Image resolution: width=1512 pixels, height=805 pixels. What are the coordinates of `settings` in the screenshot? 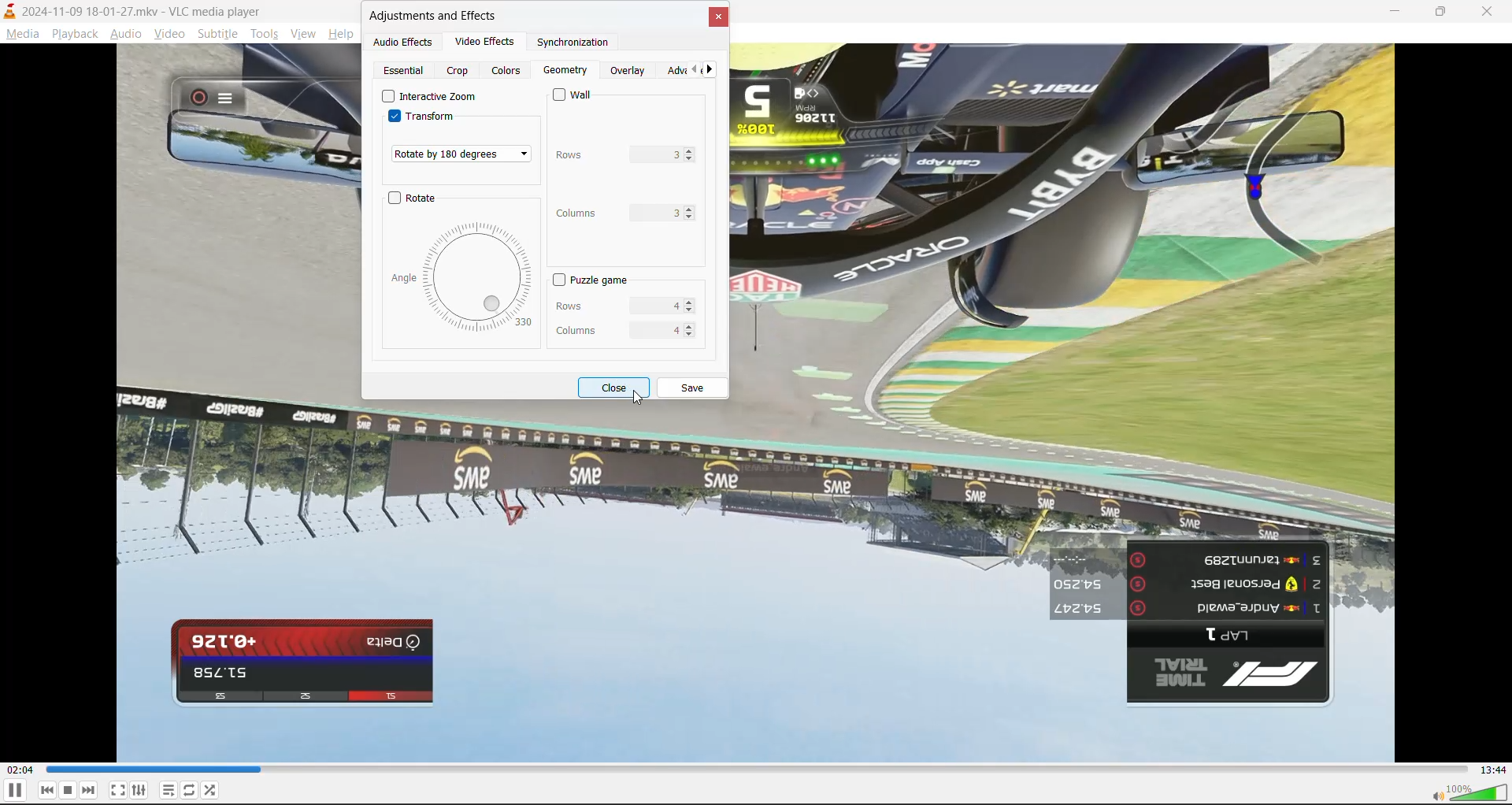 It's located at (140, 791).